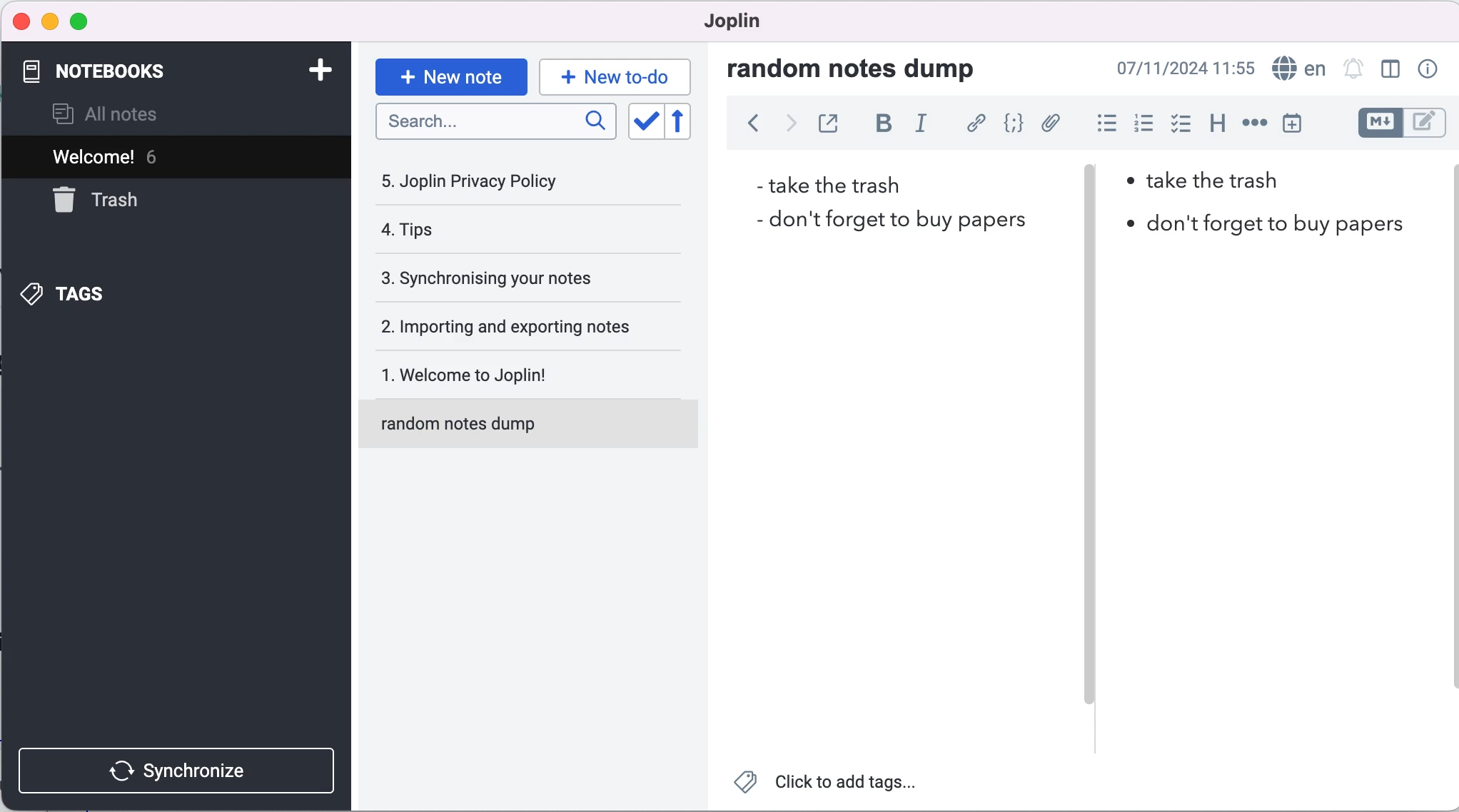  Describe the element at coordinates (20, 21) in the screenshot. I see `close` at that location.